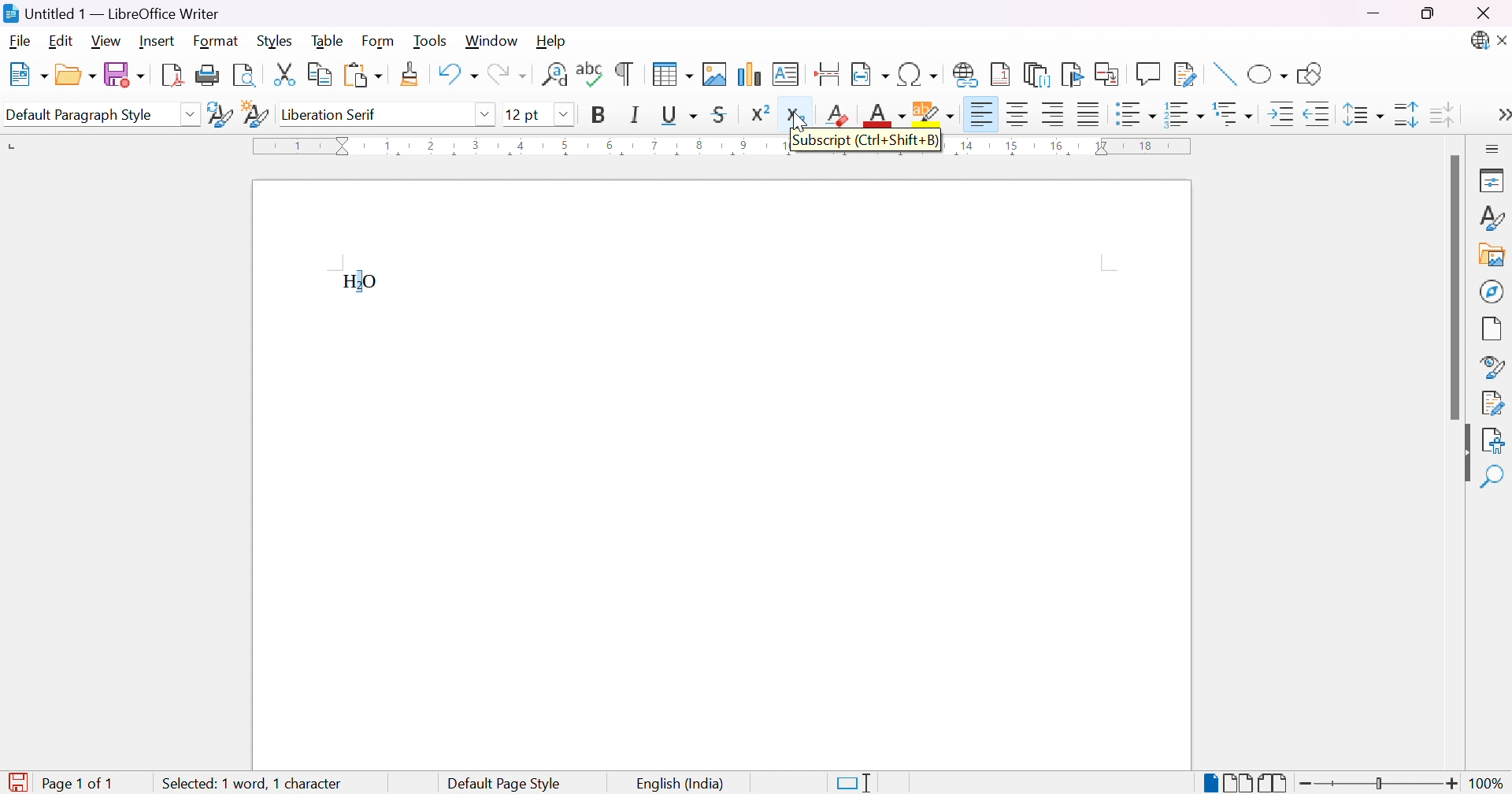 The height and width of the screenshot is (794, 1512). Describe the element at coordinates (217, 42) in the screenshot. I see `Format` at that location.